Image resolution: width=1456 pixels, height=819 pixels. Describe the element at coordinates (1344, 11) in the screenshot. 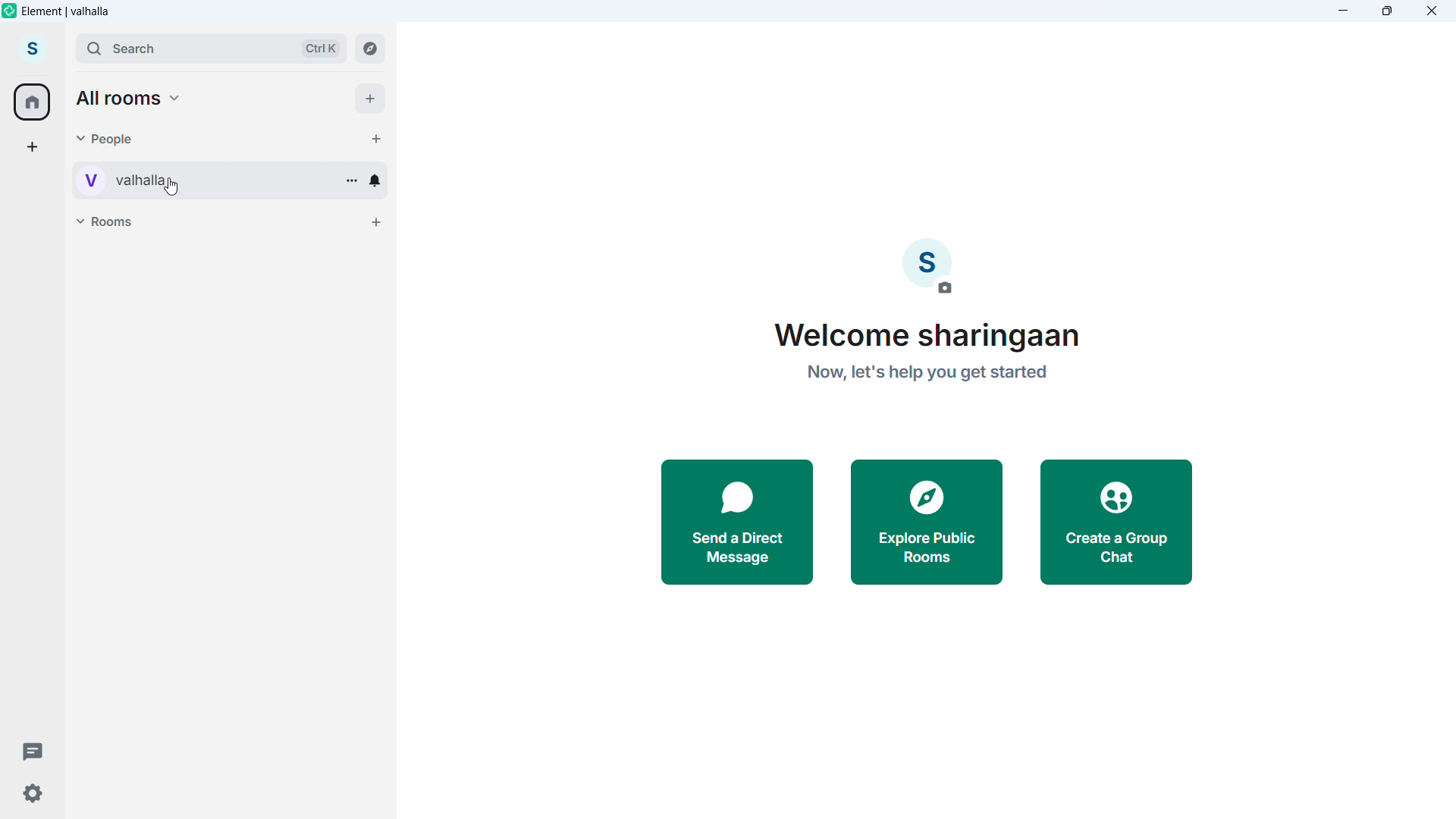

I see `minimize` at that location.